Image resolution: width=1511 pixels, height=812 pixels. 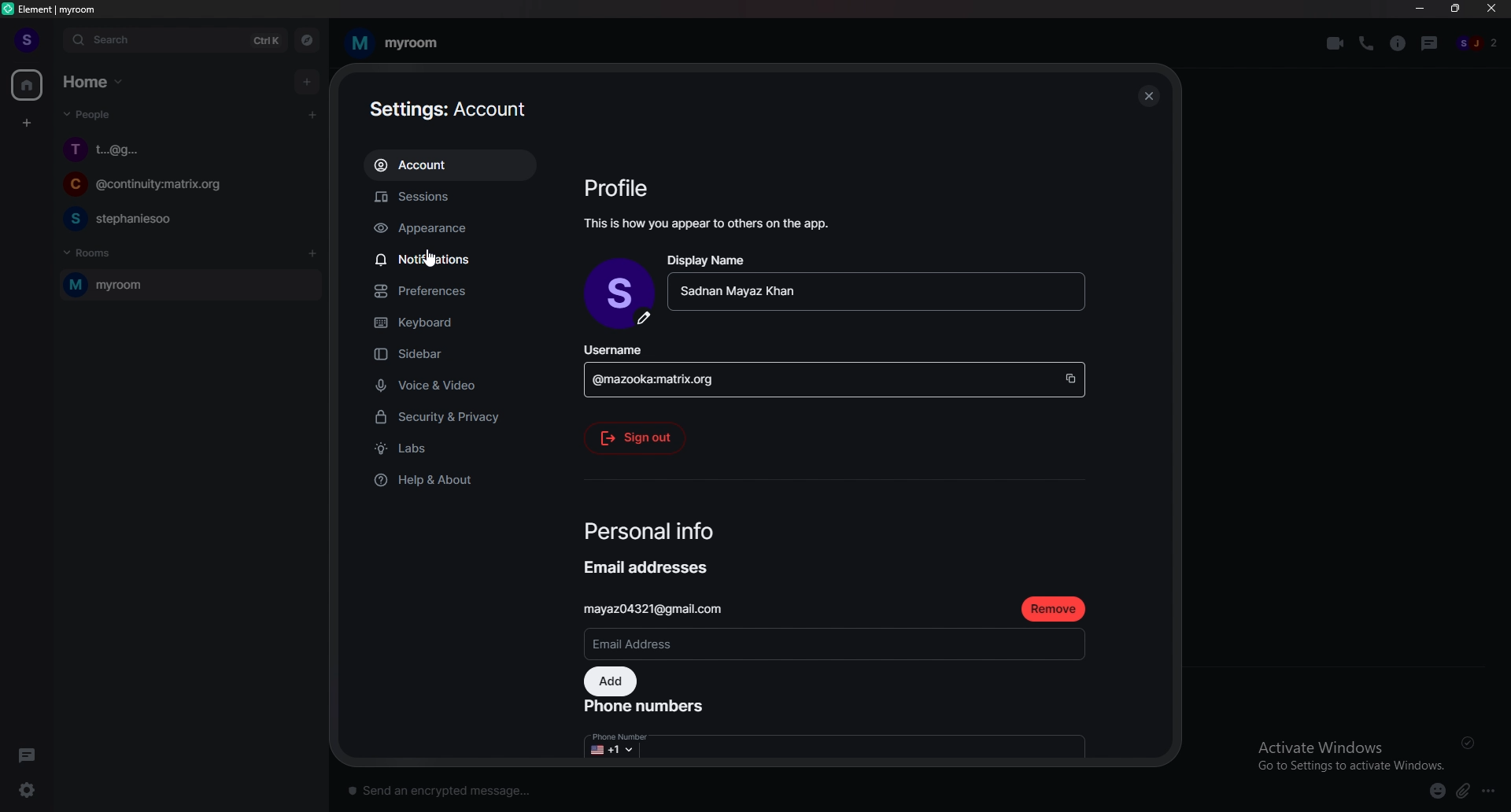 What do you see at coordinates (188, 285) in the screenshot?
I see `room` at bounding box center [188, 285].